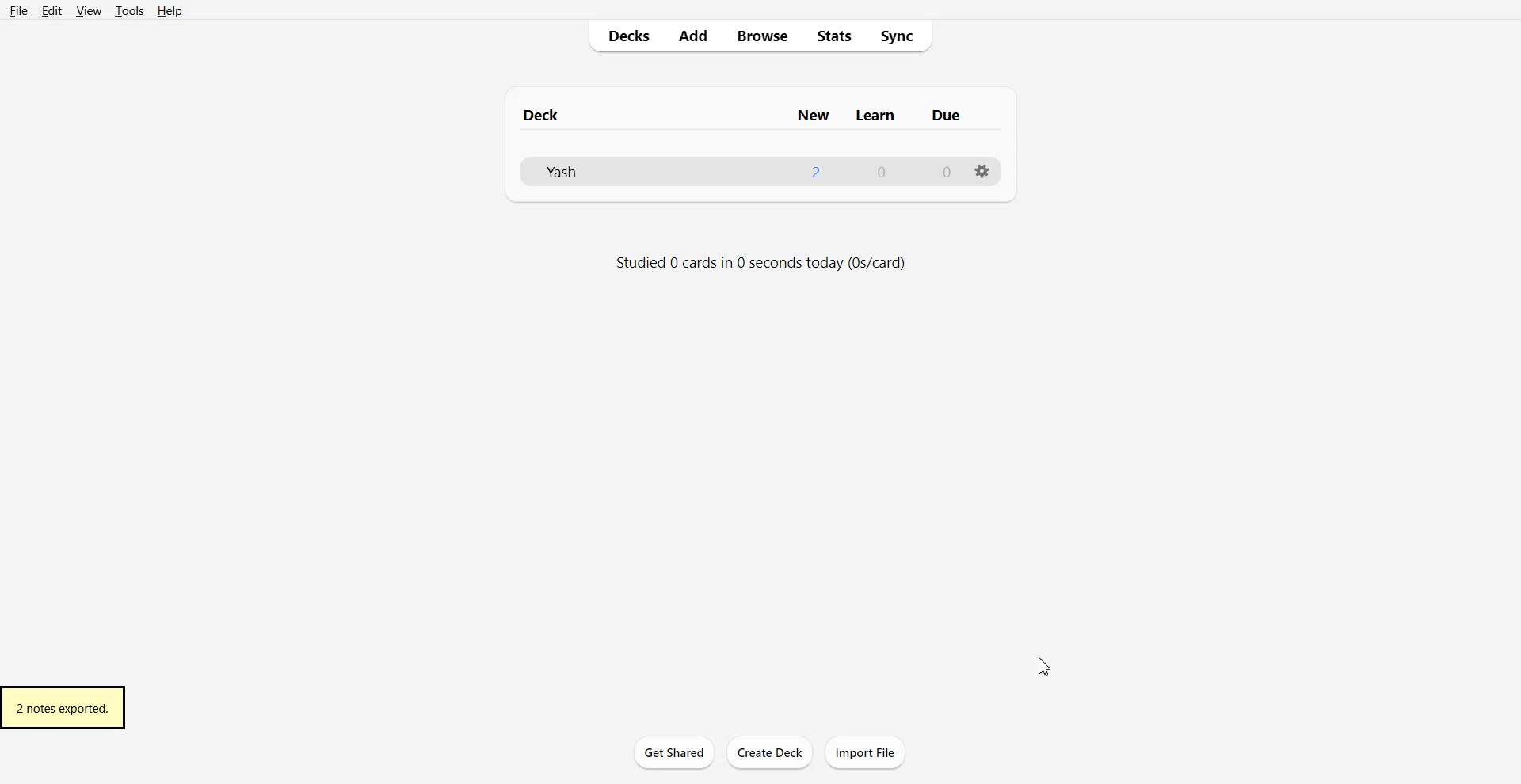 This screenshot has width=1521, height=784. What do you see at coordinates (674, 752) in the screenshot?
I see `Get Shared` at bounding box center [674, 752].